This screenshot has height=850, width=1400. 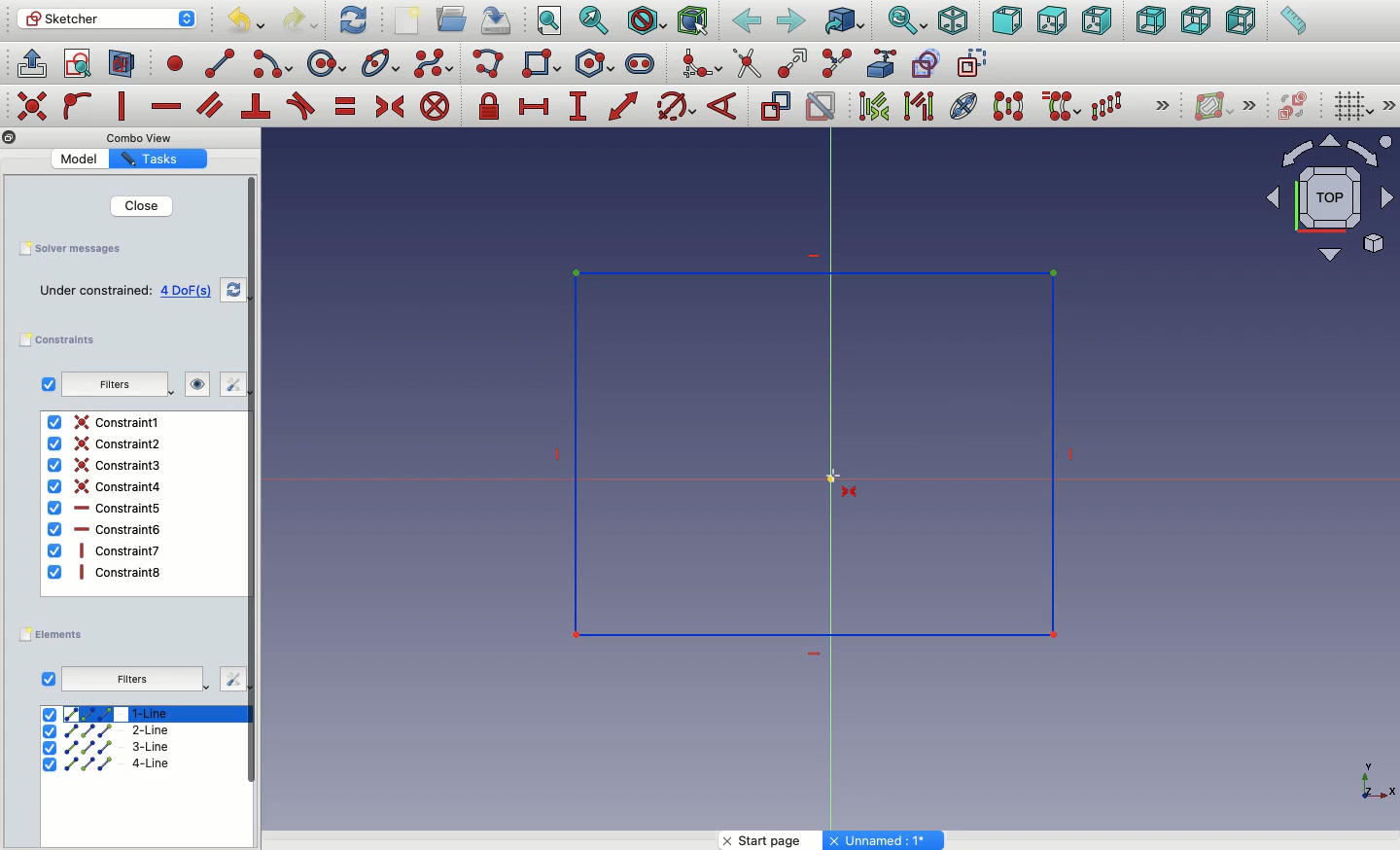 What do you see at coordinates (646, 21) in the screenshot?
I see `Draw style` at bounding box center [646, 21].